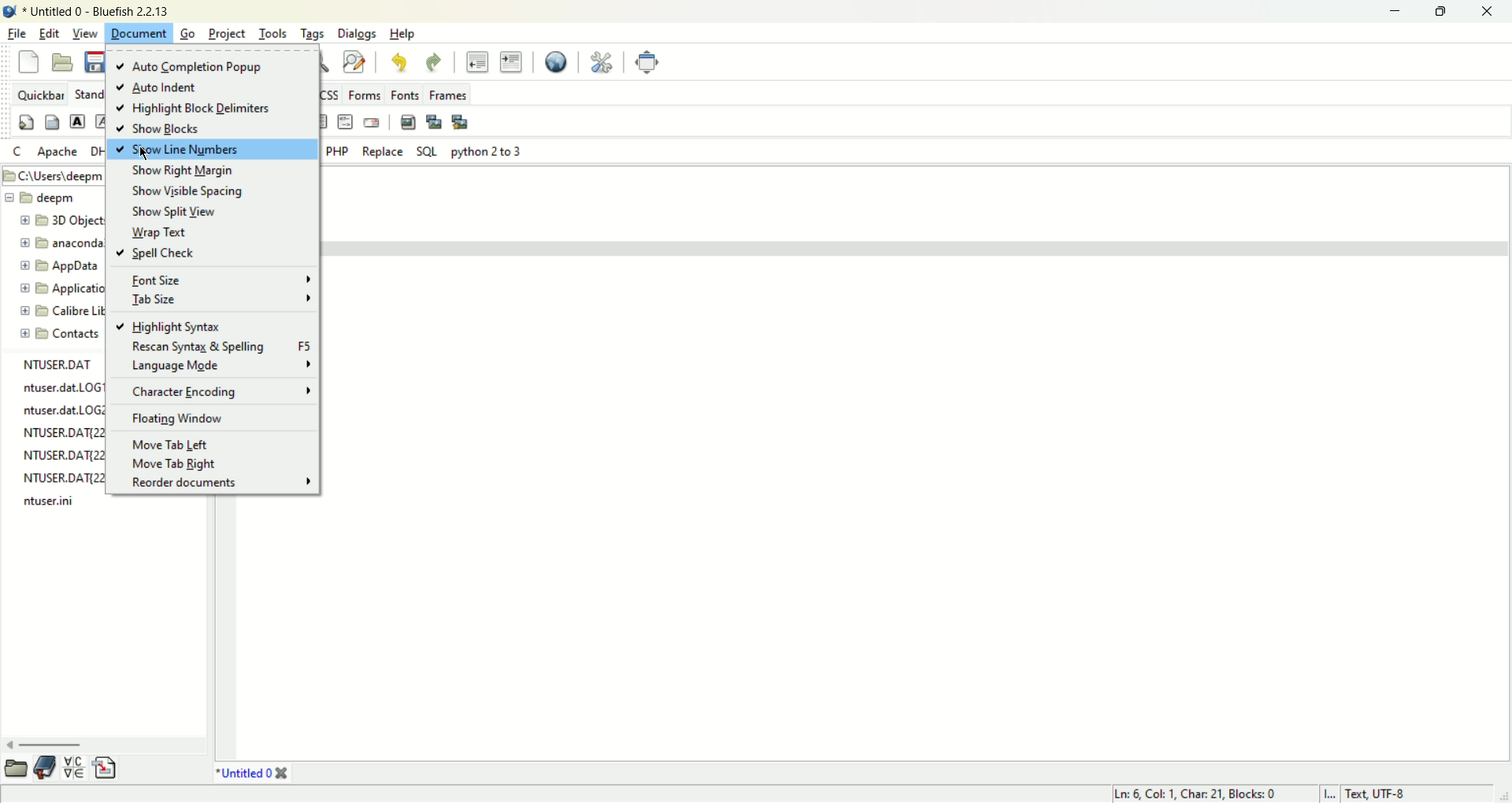  I want to click on wrap text, so click(156, 232).